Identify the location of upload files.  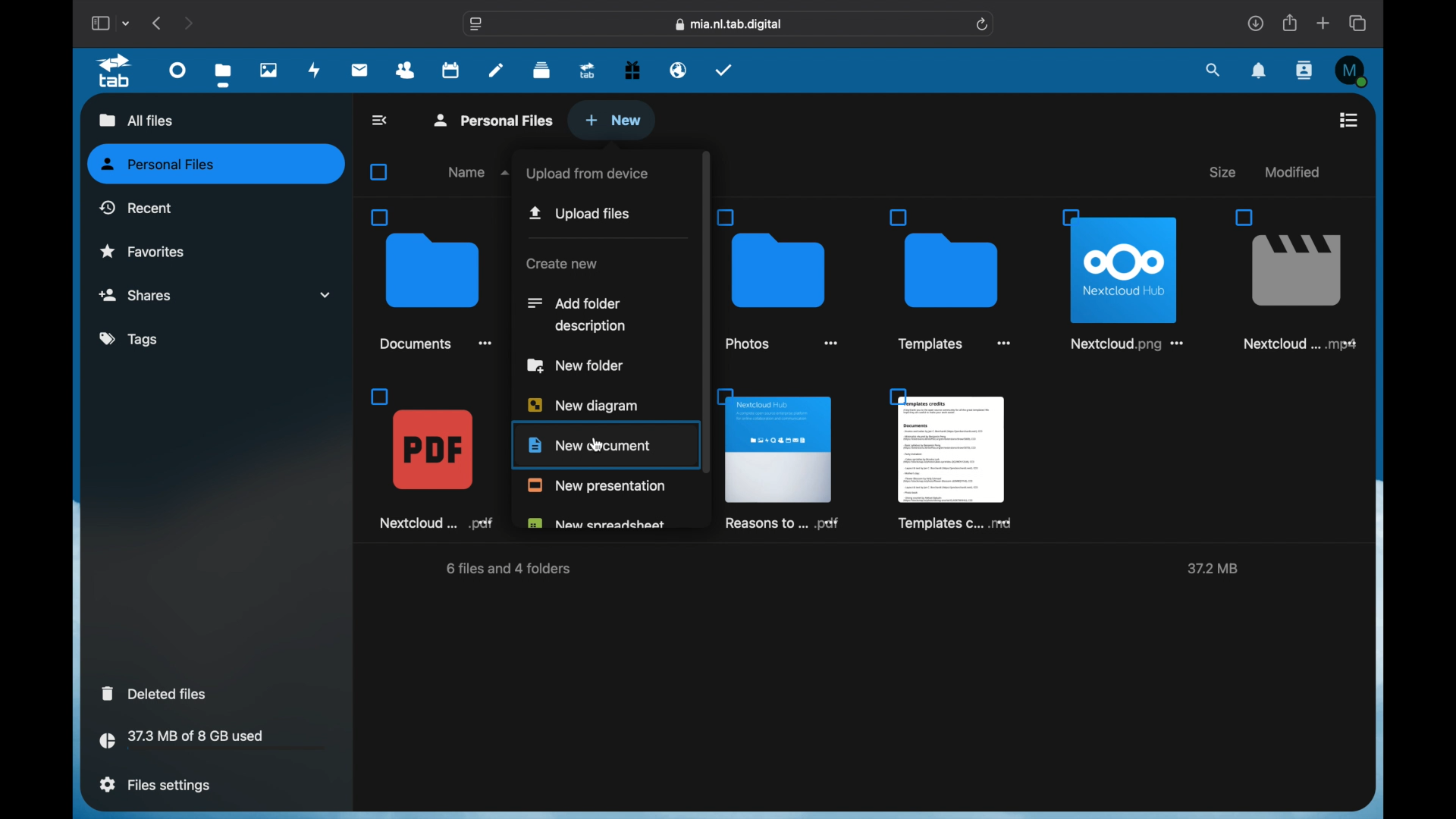
(582, 213).